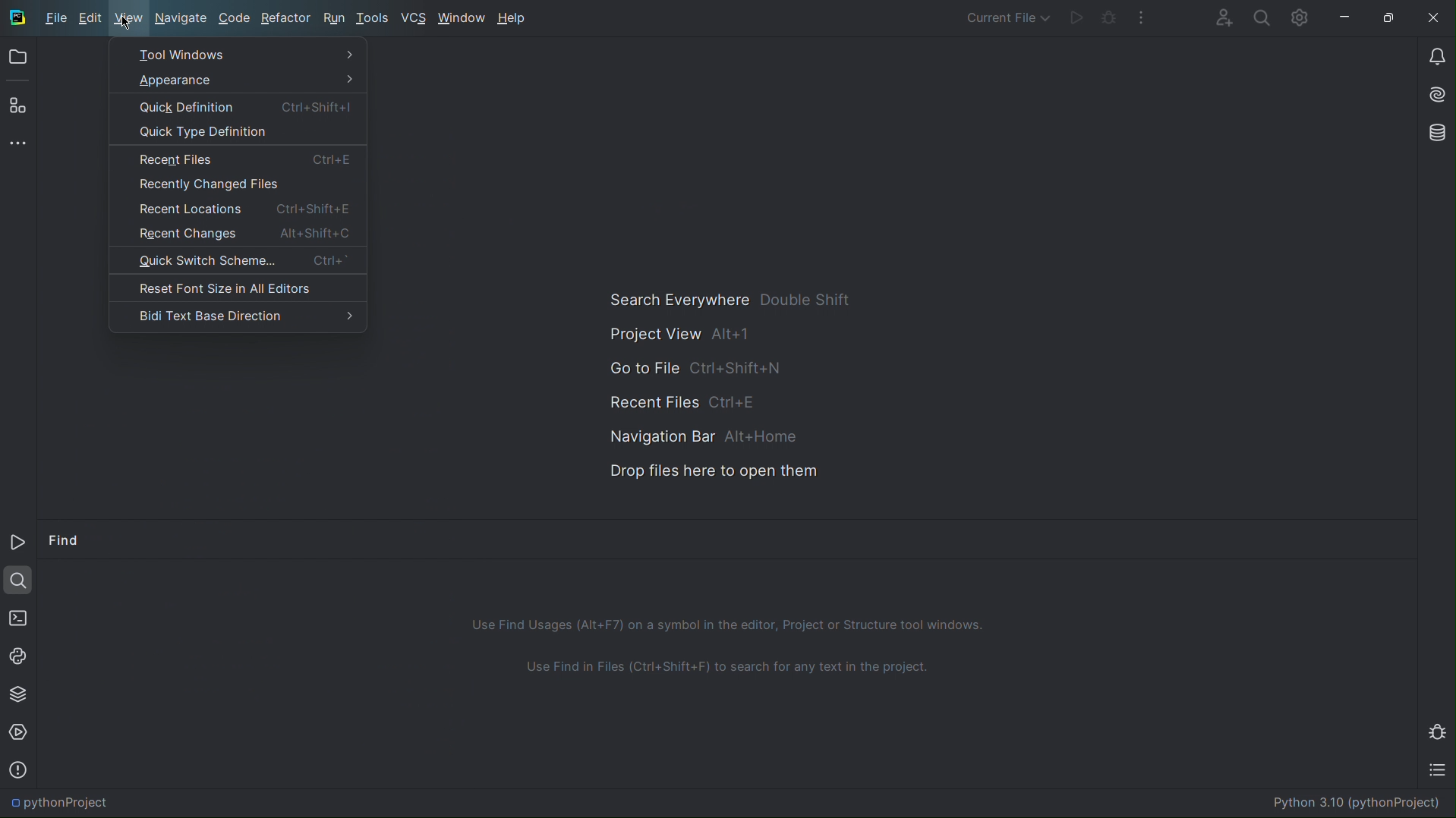 The height and width of the screenshot is (818, 1456). What do you see at coordinates (1391, 19) in the screenshot?
I see `Maximize` at bounding box center [1391, 19].